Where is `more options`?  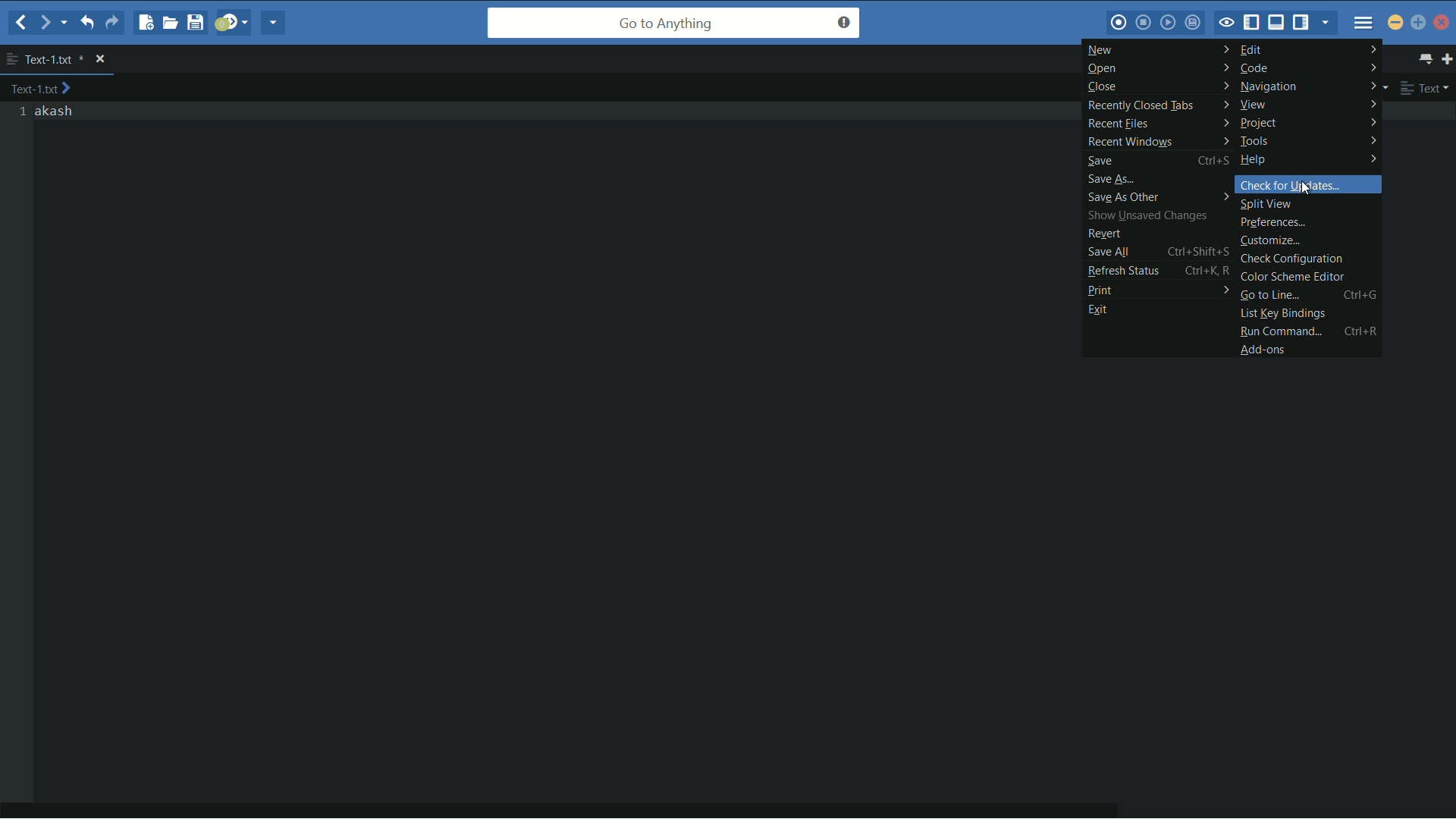 more options is located at coordinates (9, 61).